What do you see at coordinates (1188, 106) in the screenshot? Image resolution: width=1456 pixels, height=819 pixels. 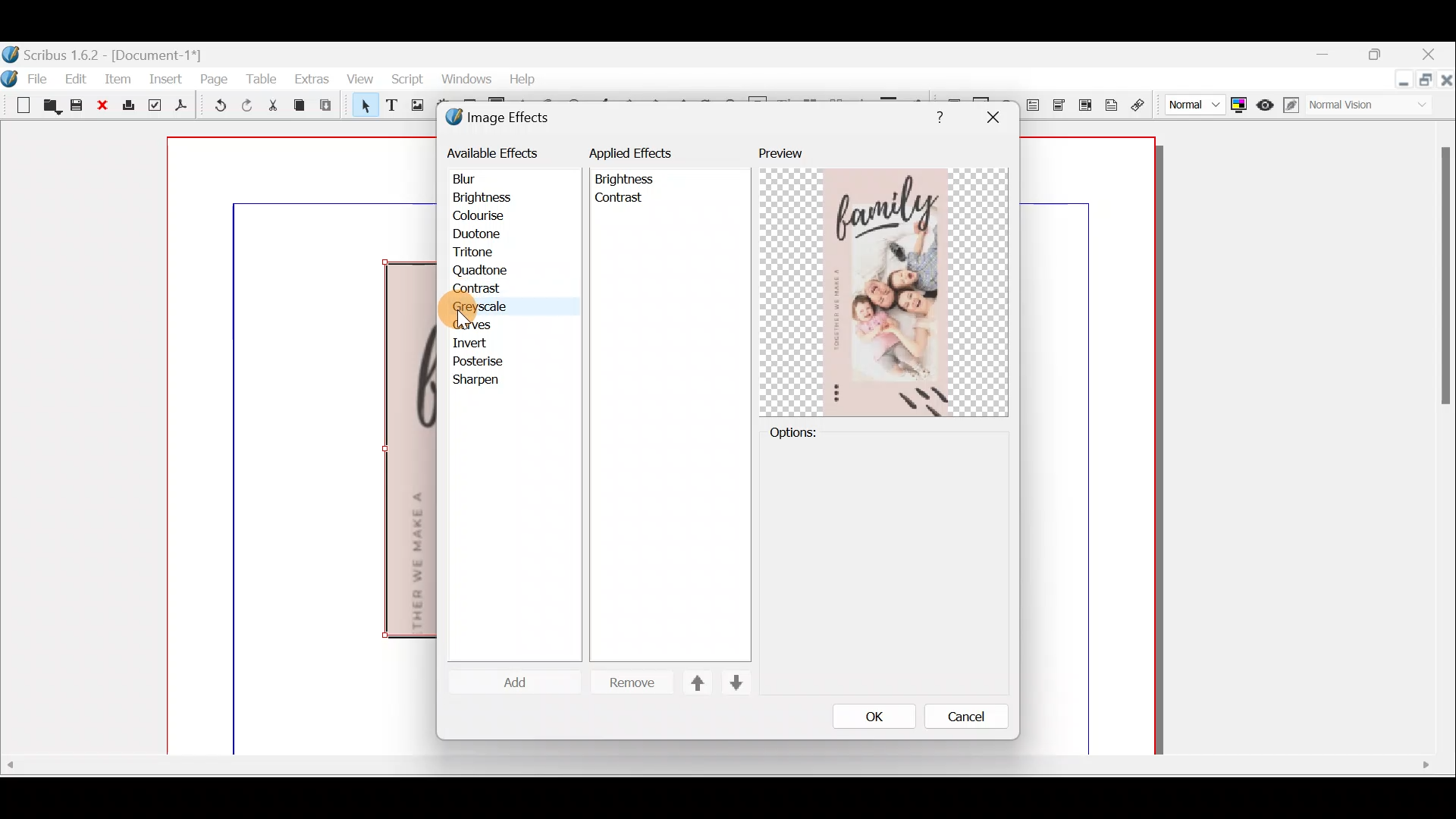 I see `Select image preview quality` at bounding box center [1188, 106].